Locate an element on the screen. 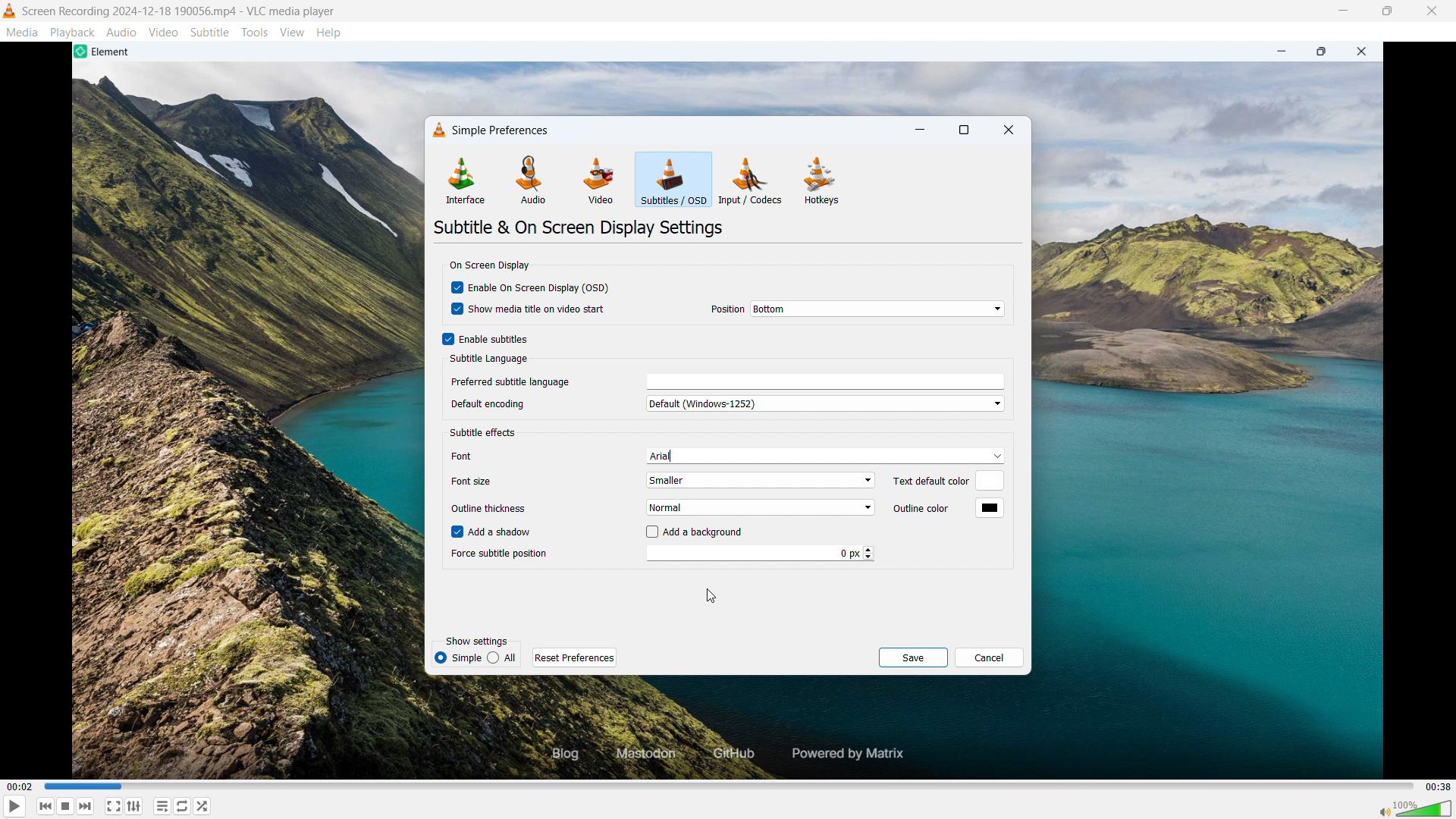  toggle playlist is located at coordinates (134, 806).